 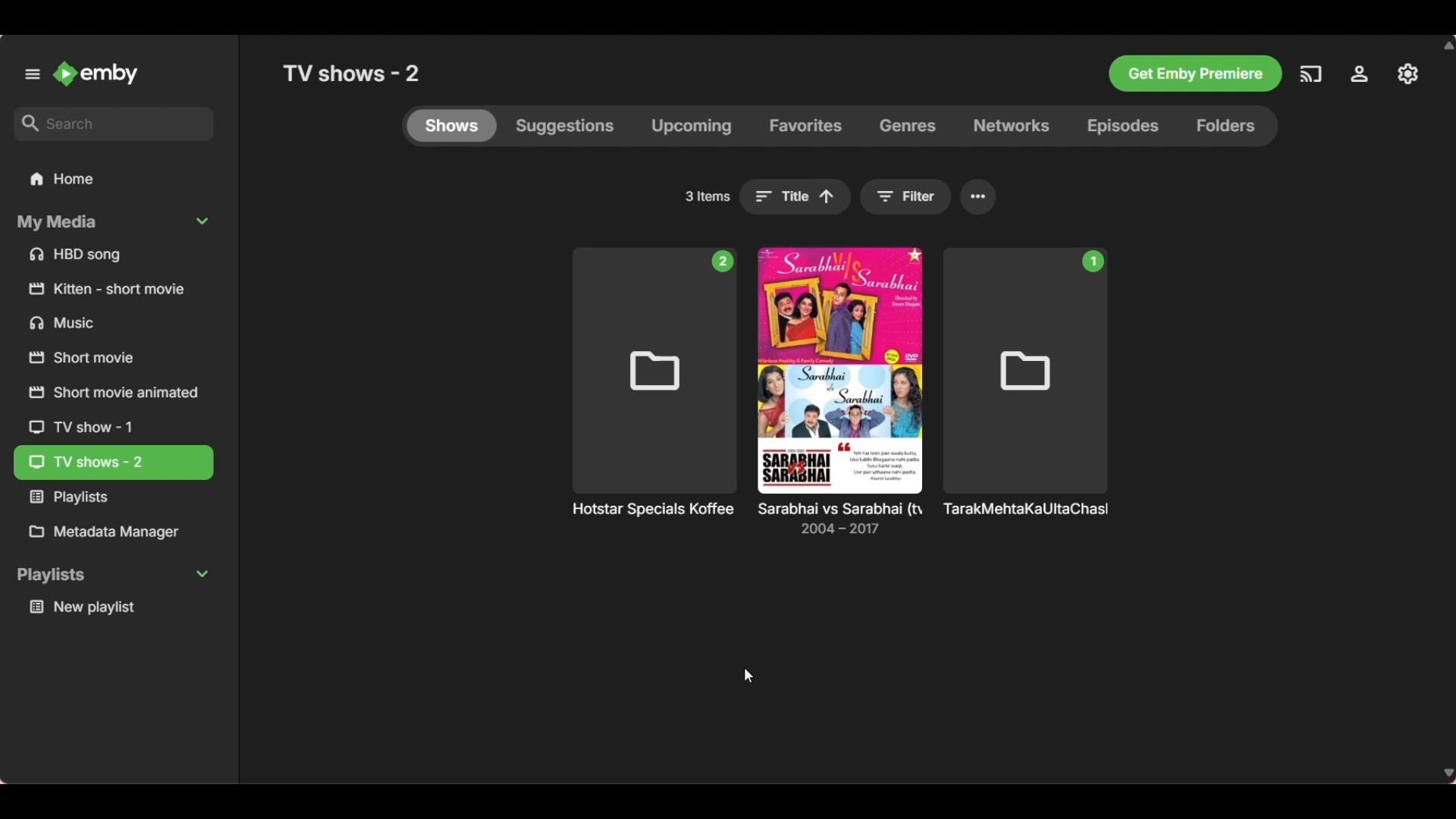 What do you see at coordinates (986, 197) in the screenshot?
I see `More settings` at bounding box center [986, 197].